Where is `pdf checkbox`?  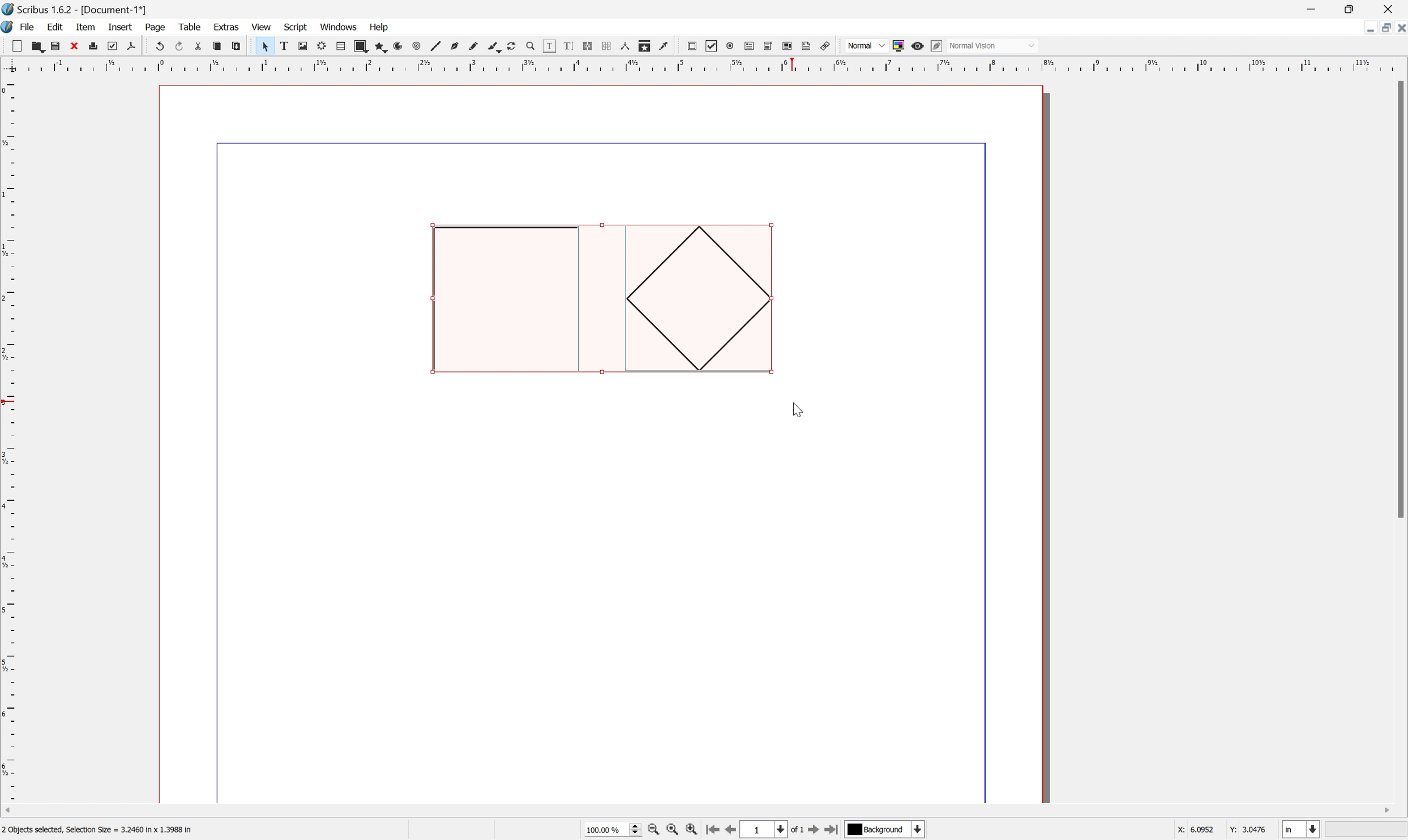 pdf checkbox is located at coordinates (711, 46).